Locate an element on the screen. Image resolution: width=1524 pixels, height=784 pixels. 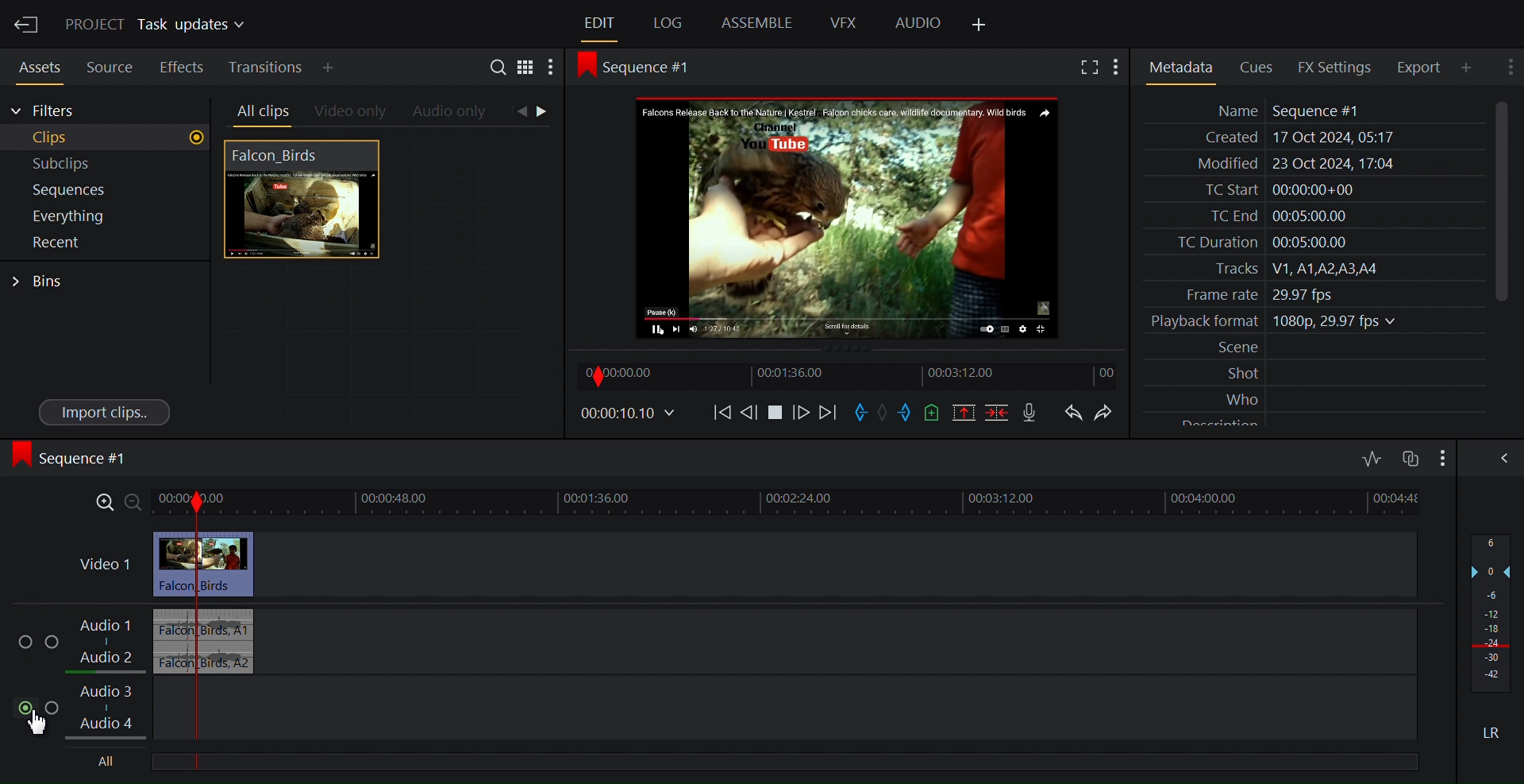
Clear marks is located at coordinates (883, 412).